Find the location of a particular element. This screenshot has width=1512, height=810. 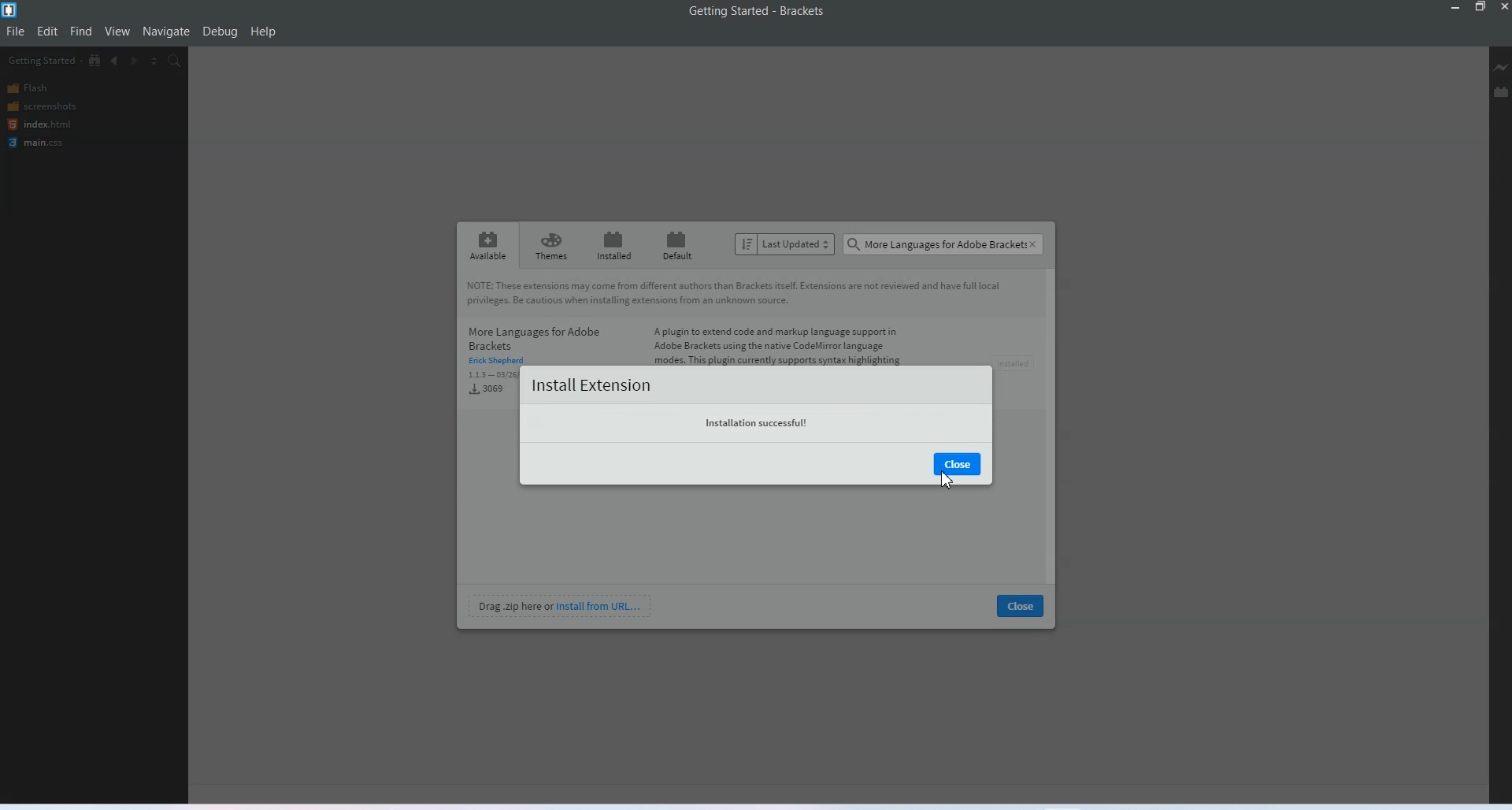

And more language for adobe brackets is located at coordinates (536, 336).